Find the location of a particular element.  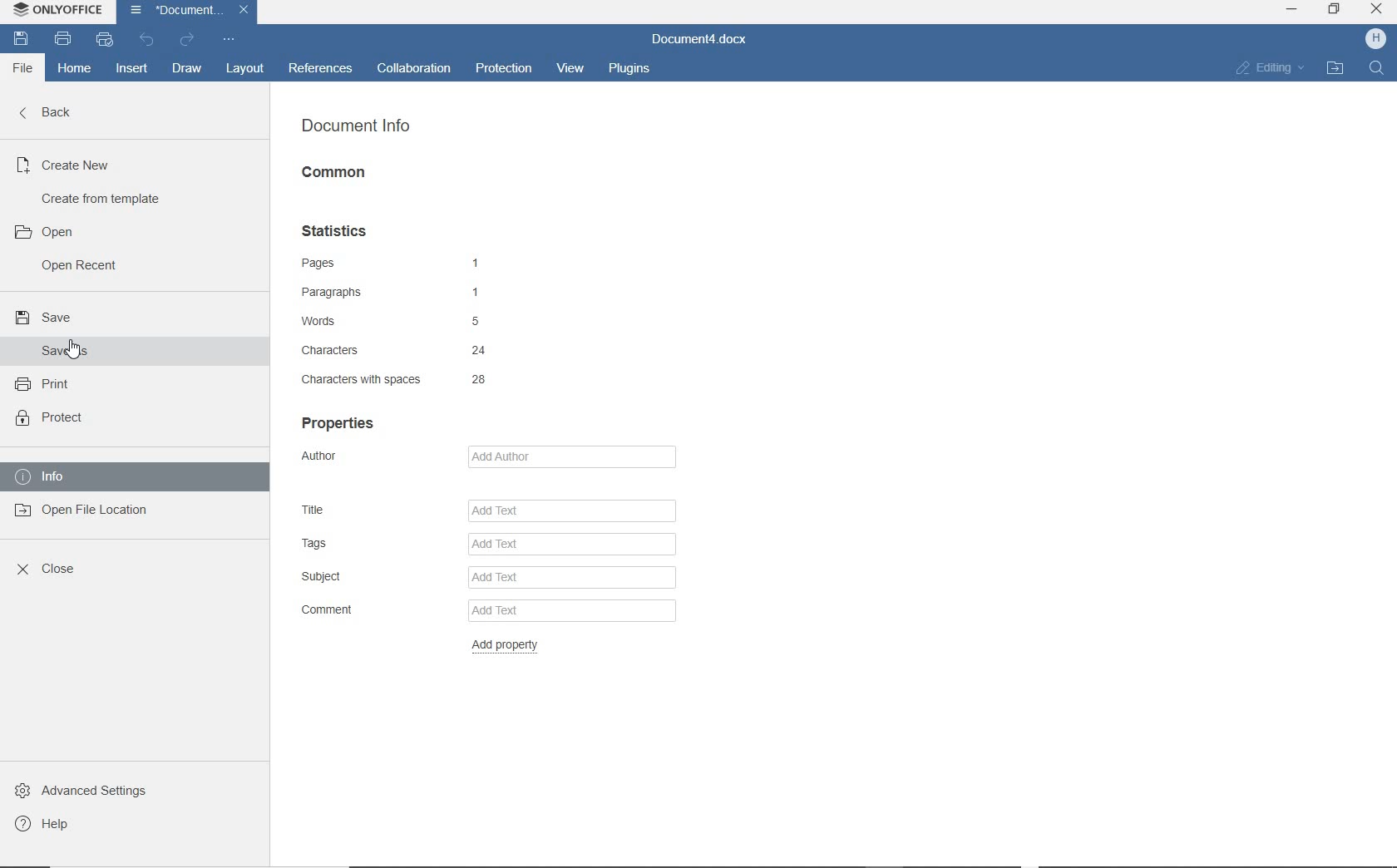

open is located at coordinates (43, 230).